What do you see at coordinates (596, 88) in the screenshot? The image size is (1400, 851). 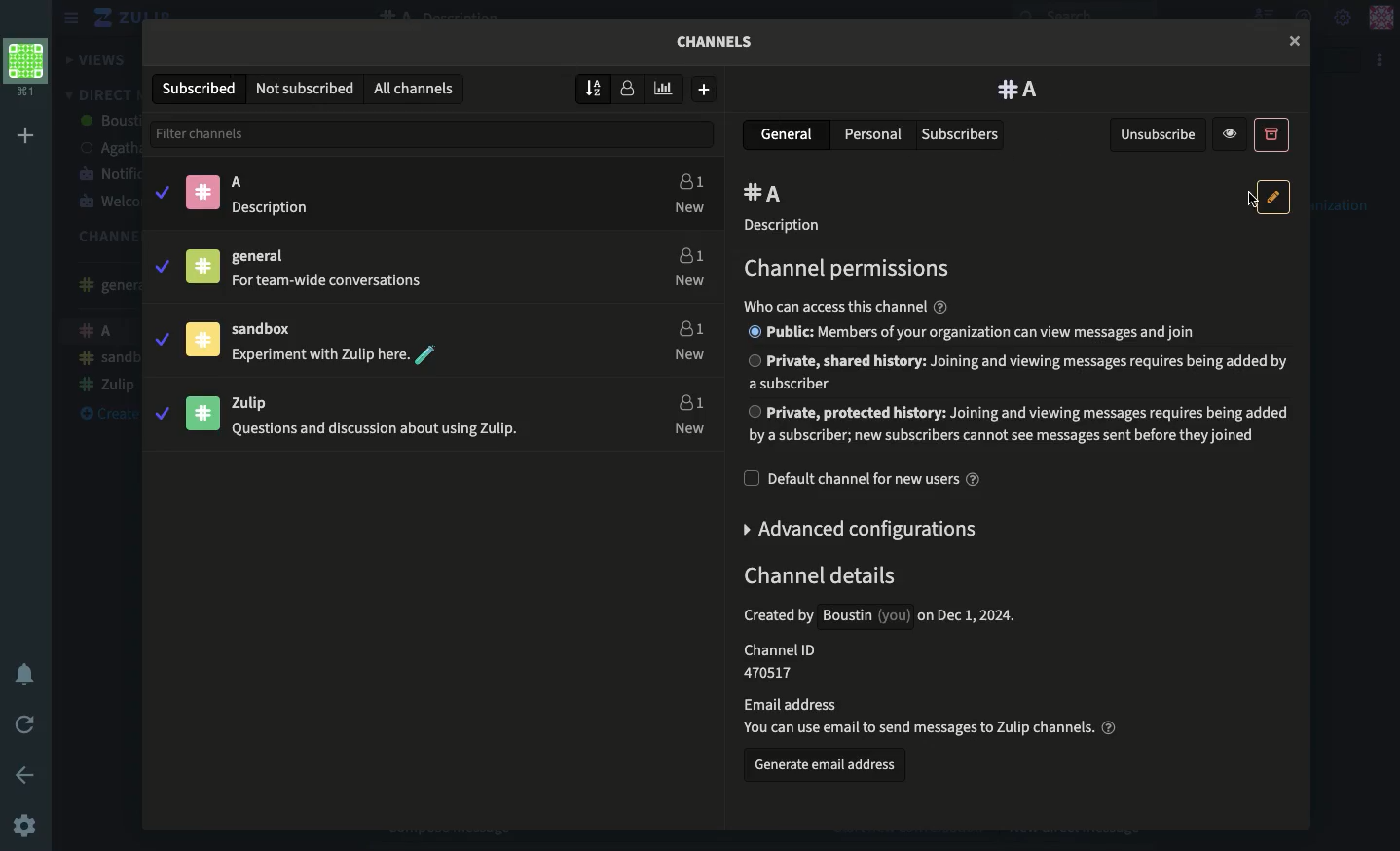 I see `Sort by name` at bounding box center [596, 88].